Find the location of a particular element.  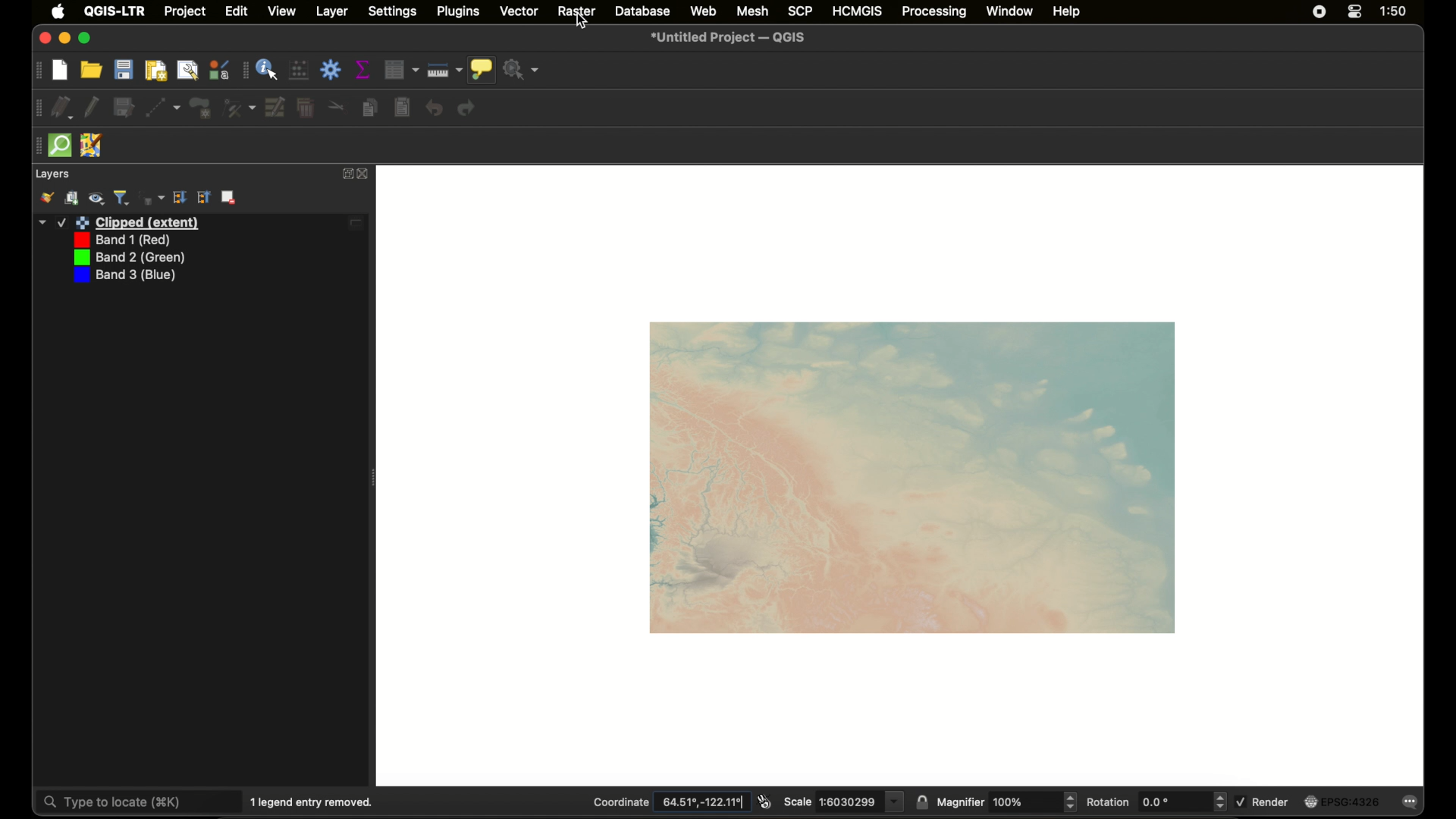

quick osm is located at coordinates (60, 145).